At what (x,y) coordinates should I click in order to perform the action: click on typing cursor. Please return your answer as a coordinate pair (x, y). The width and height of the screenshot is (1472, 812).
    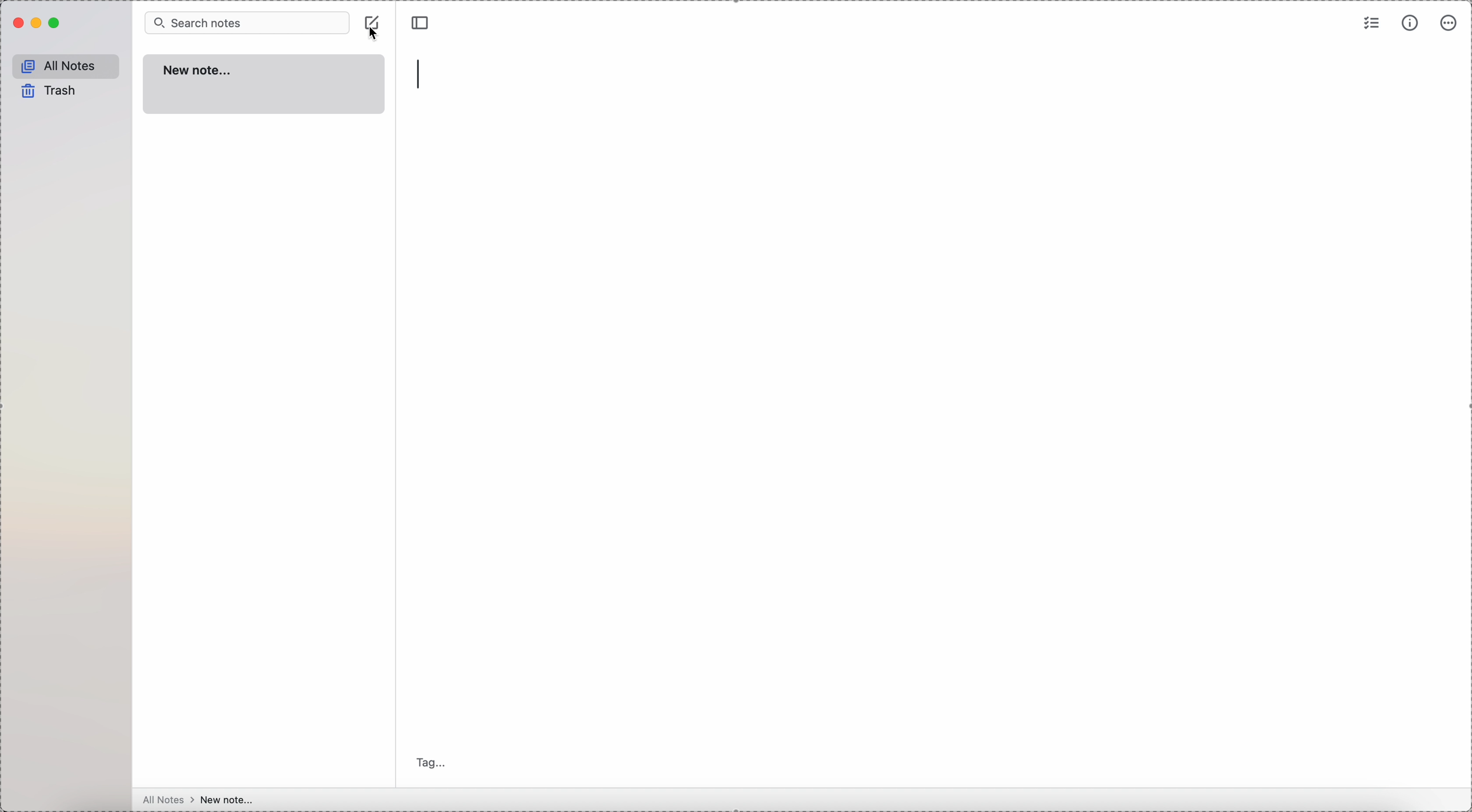
    Looking at the image, I should click on (422, 76).